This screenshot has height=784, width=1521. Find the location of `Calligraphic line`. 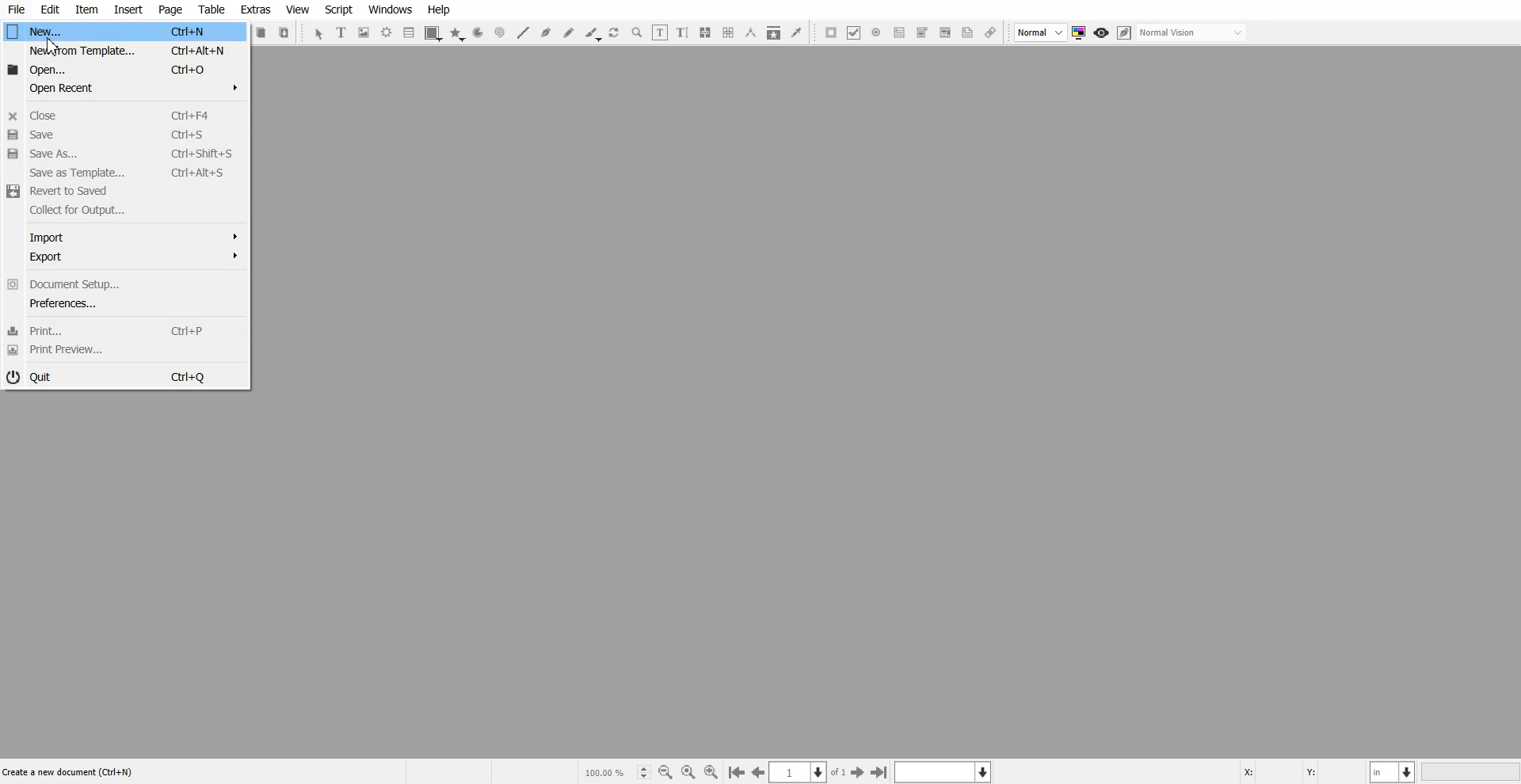

Calligraphic line is located at coordinates (593, 34).